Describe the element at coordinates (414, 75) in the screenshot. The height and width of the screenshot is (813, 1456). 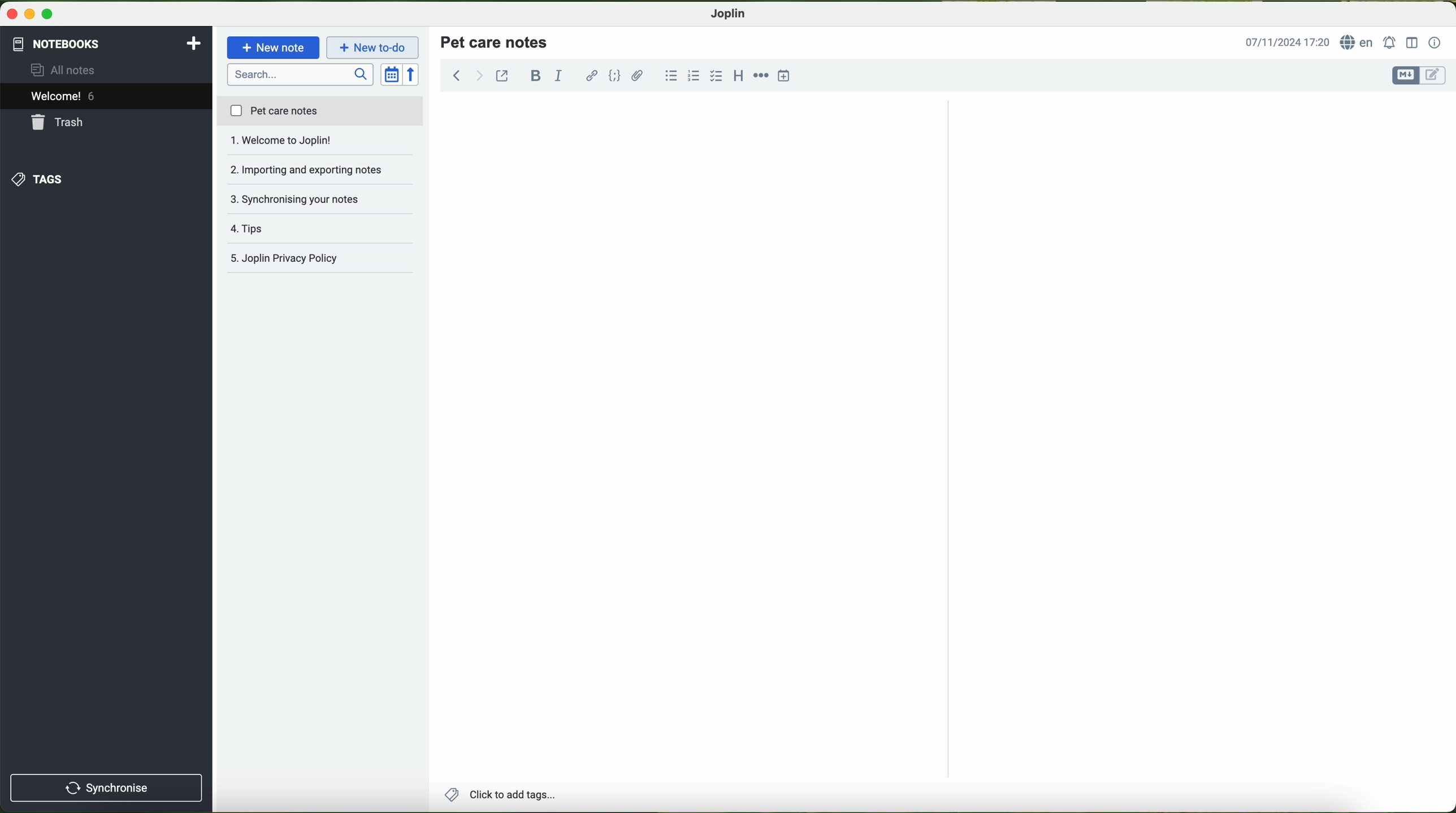
I see `reverse sort order` at that location.